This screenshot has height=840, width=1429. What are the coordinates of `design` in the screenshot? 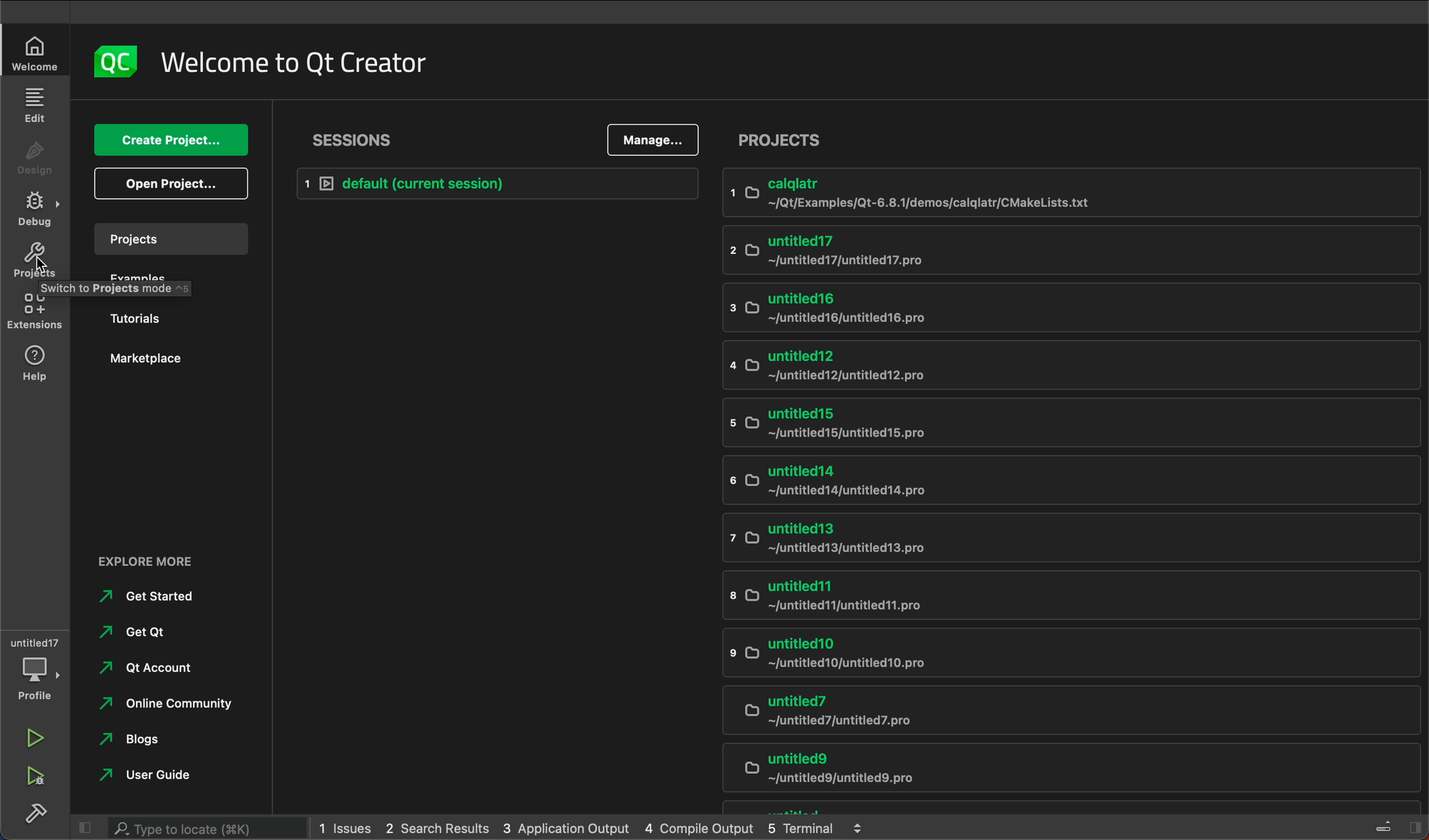 It's located at (32, 155).